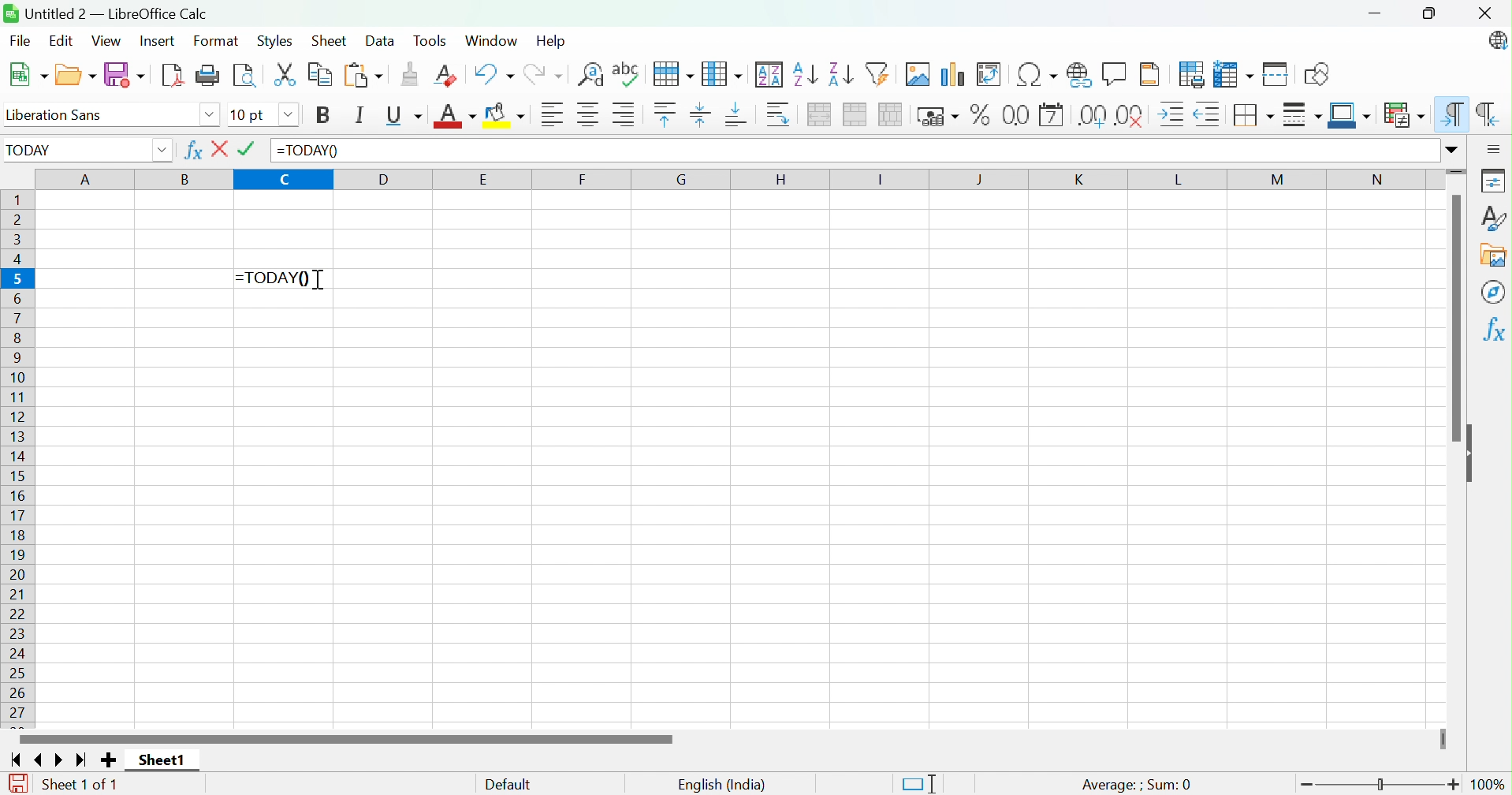 Image resolution: width=1512 pixels, height=795 pixels. What do you see at coordinates (192, 151) in the screenshot?
I see `Function wizard` at bounding box center [192, 151].